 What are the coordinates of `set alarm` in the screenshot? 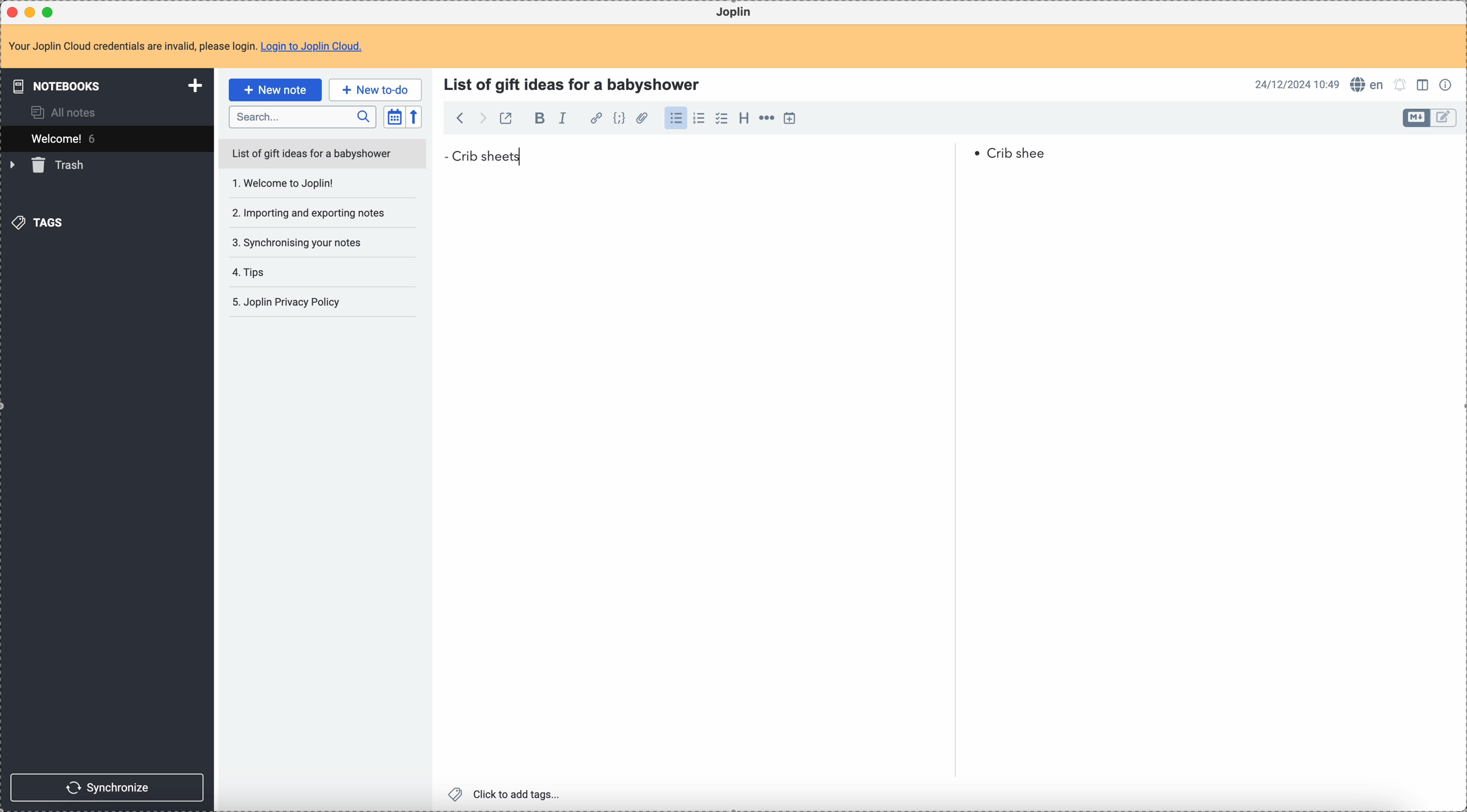 It's located at (1400, 85).